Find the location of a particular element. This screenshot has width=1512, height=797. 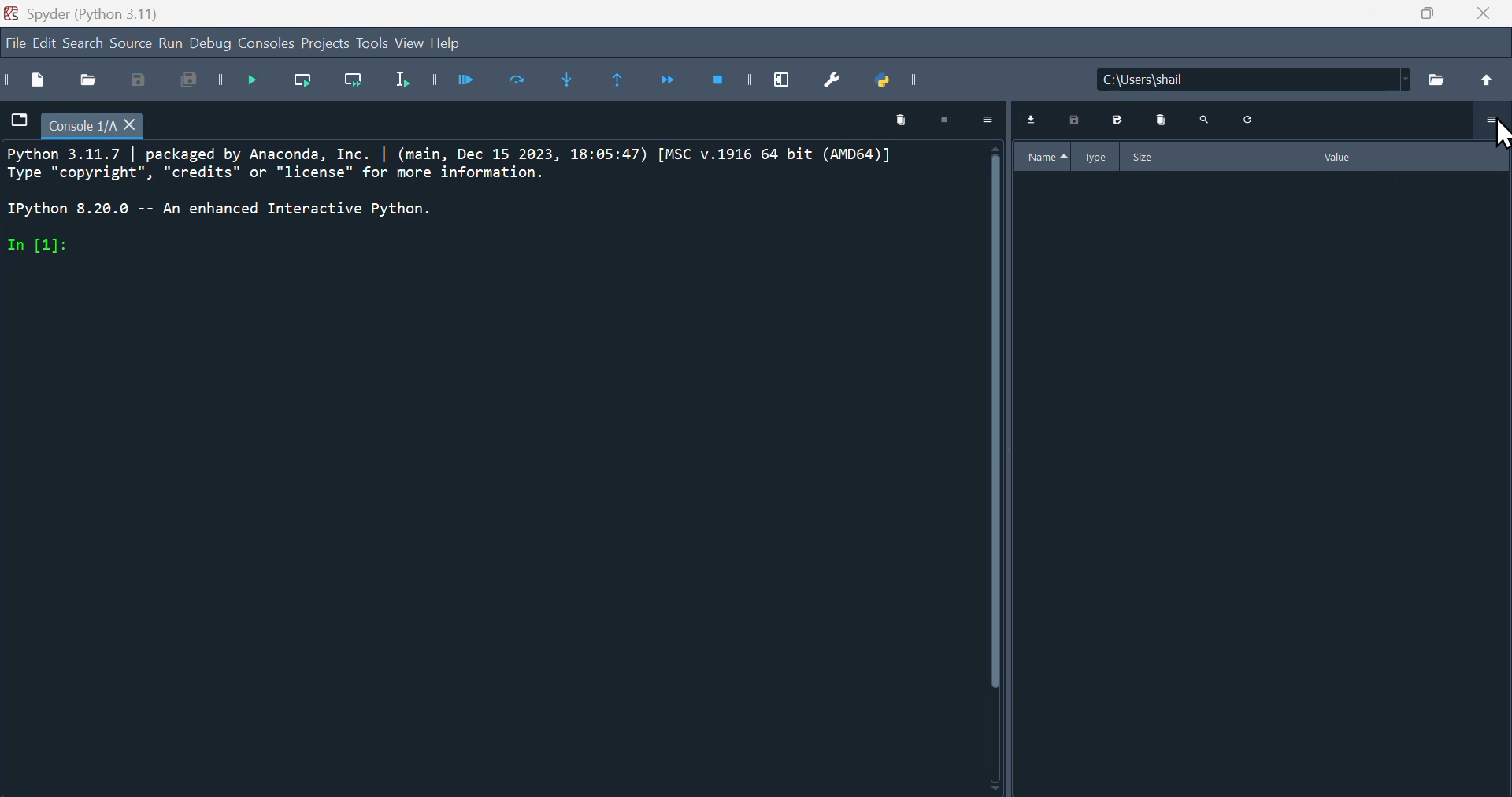

Continue execution until next function returns is located at coordinates (676, 82).